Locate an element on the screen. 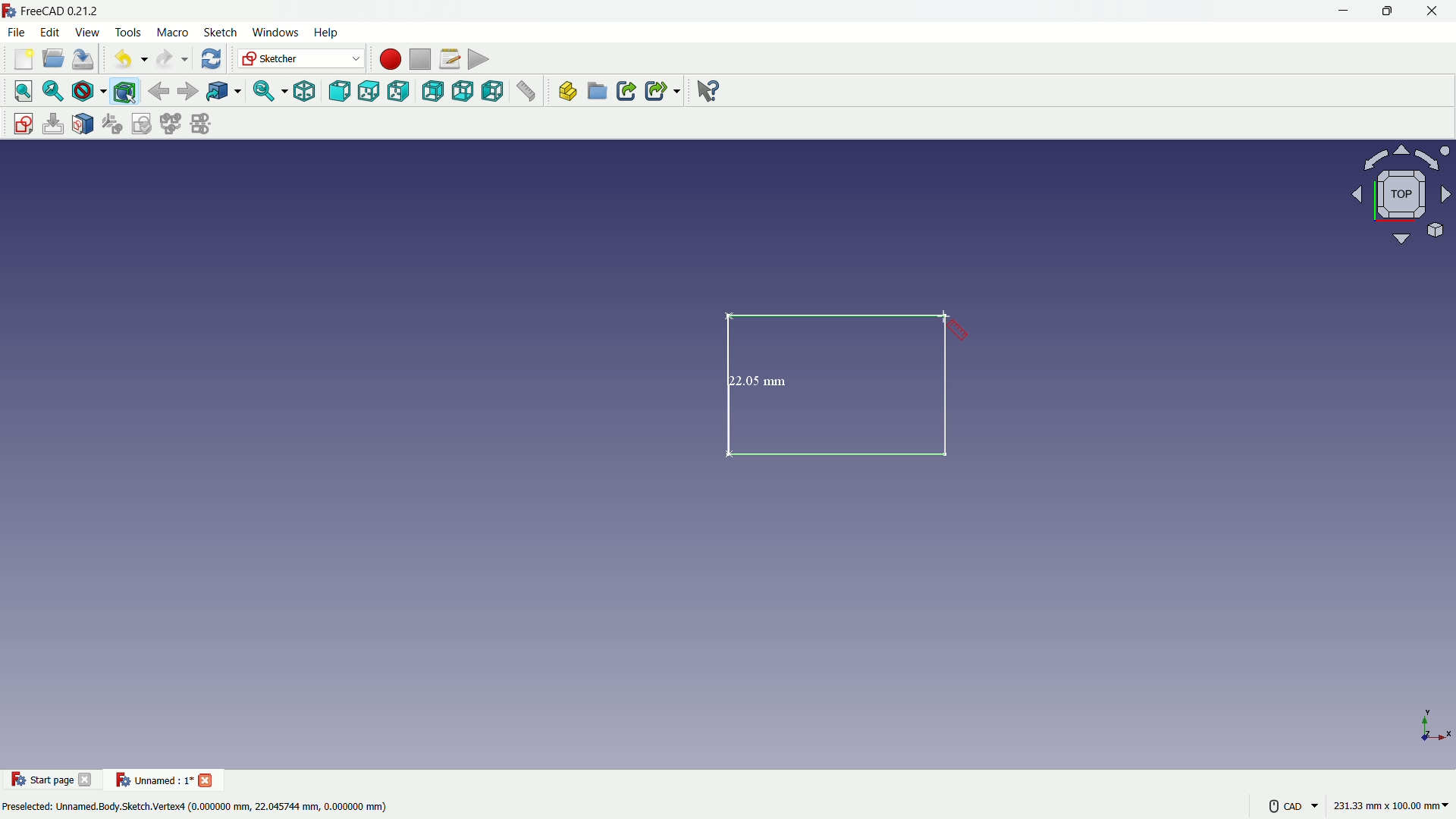 This screenshot has height=819, width=1456. measure is located at coordinates (528, 93).